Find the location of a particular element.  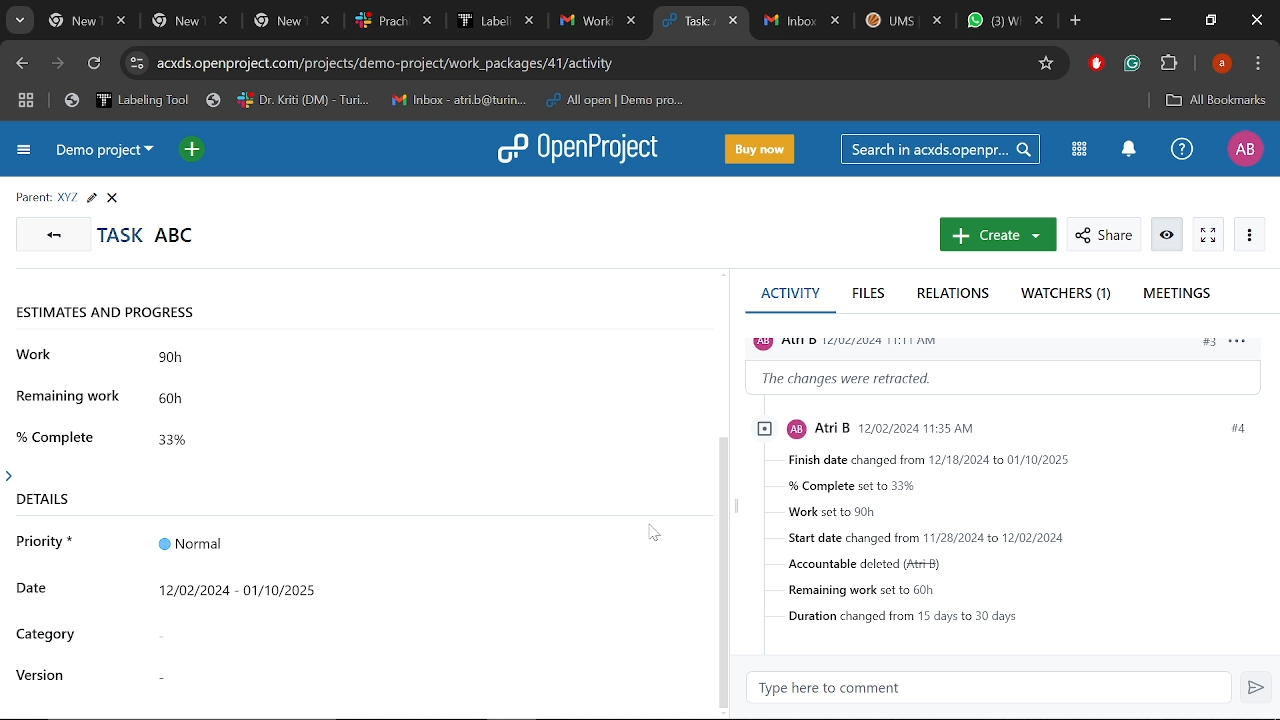

Tab groups is located at coordinates (28, 100).